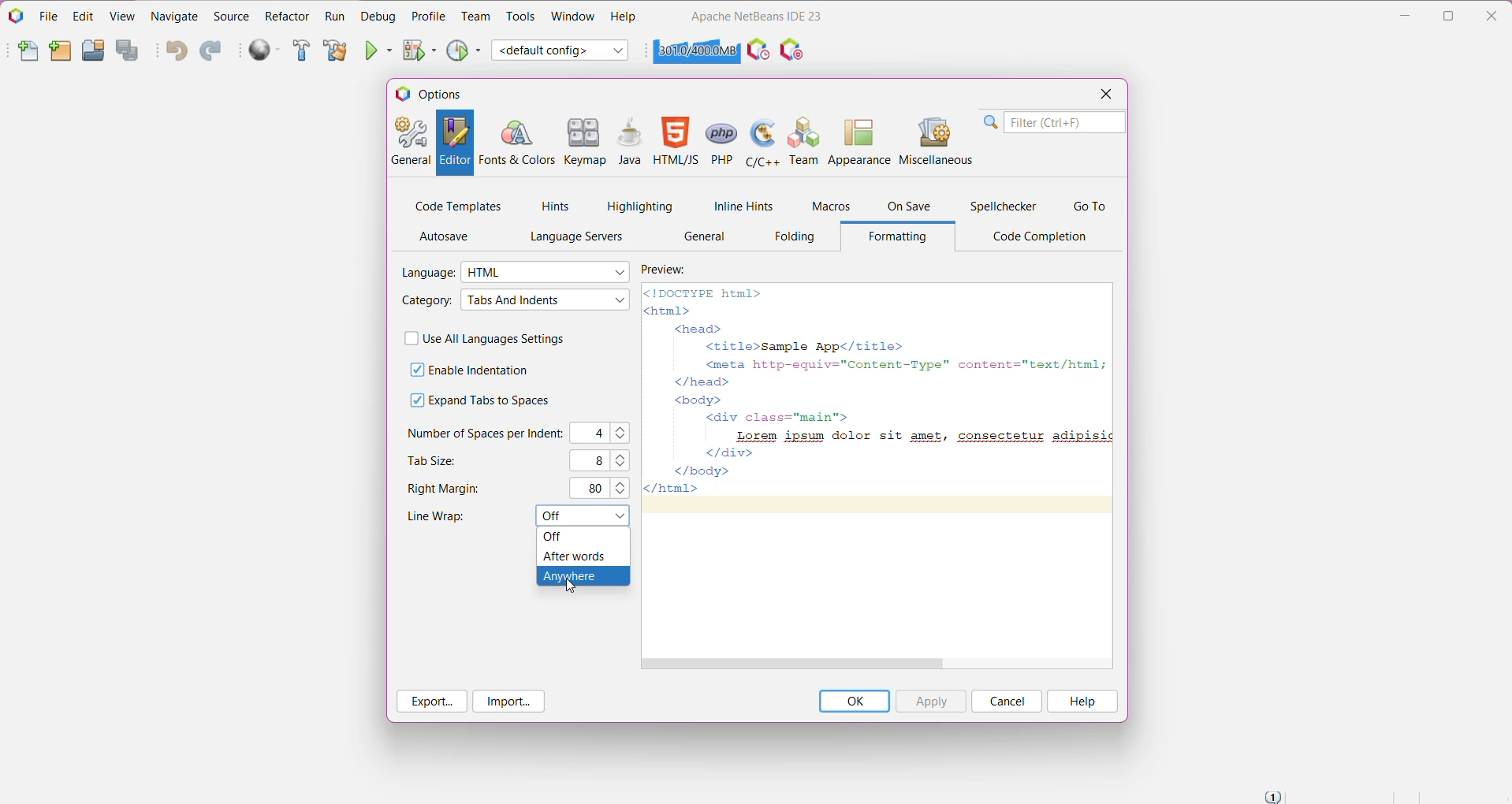 Image resolution: width=1512 pixels, height=804 pixels. Describe the element at coordinates (572, 16) in the screenshot. I see `Window` at that location.